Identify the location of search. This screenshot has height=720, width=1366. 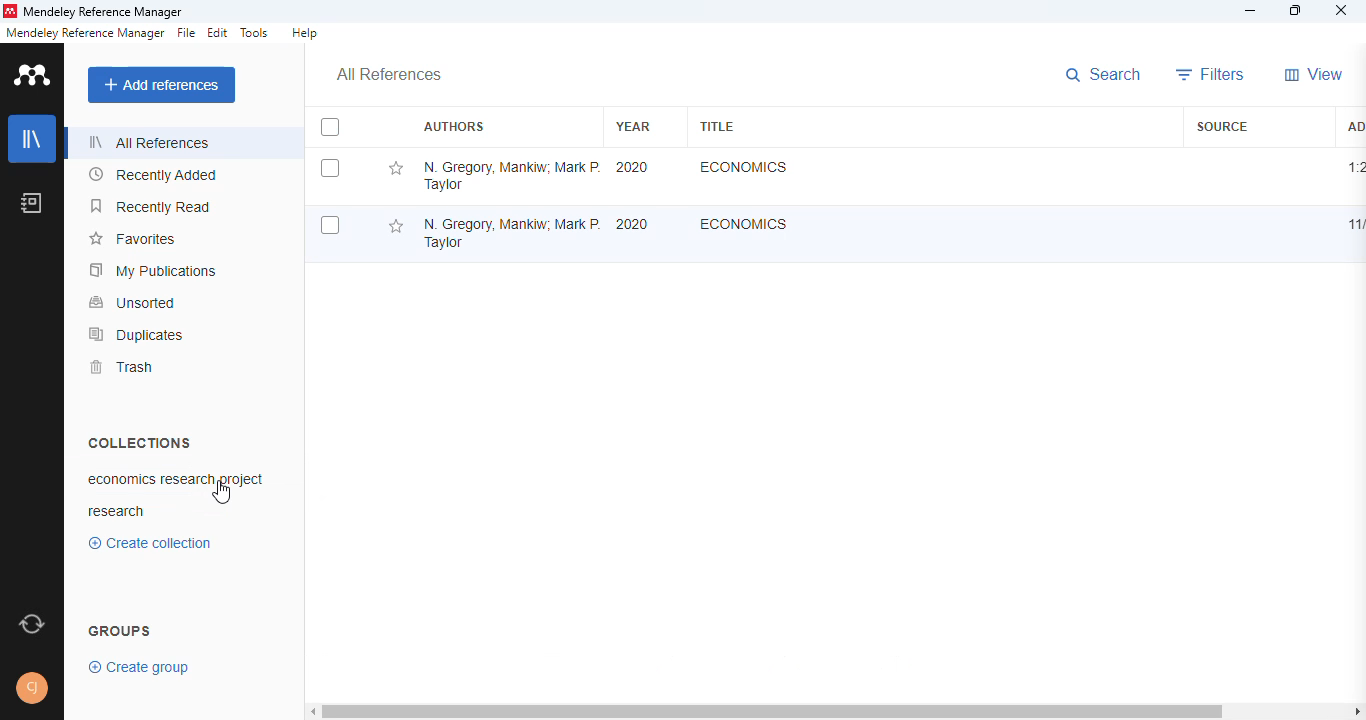
(1106, 76).